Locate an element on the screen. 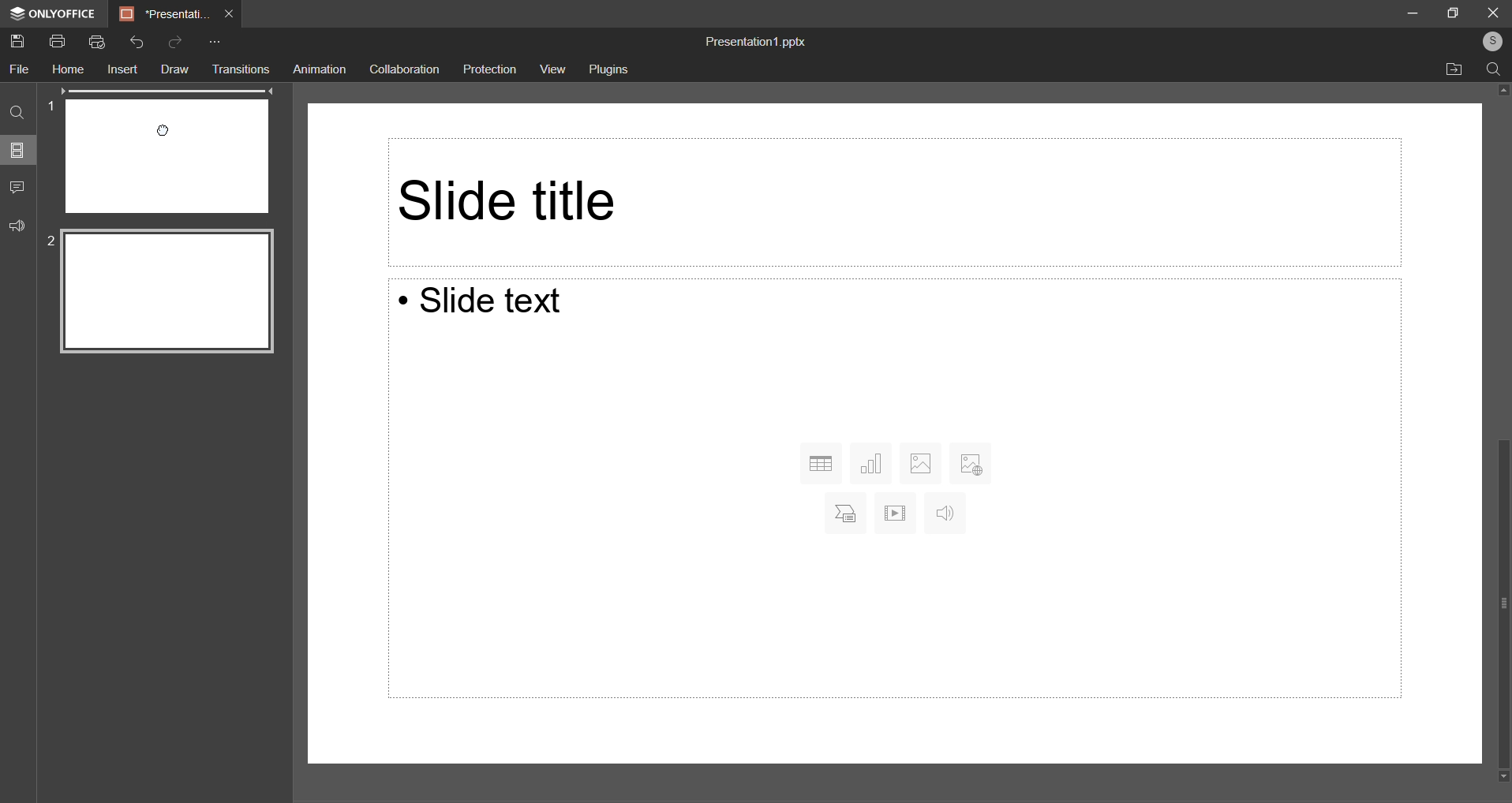  Audio is located at coordinates (943, 514).